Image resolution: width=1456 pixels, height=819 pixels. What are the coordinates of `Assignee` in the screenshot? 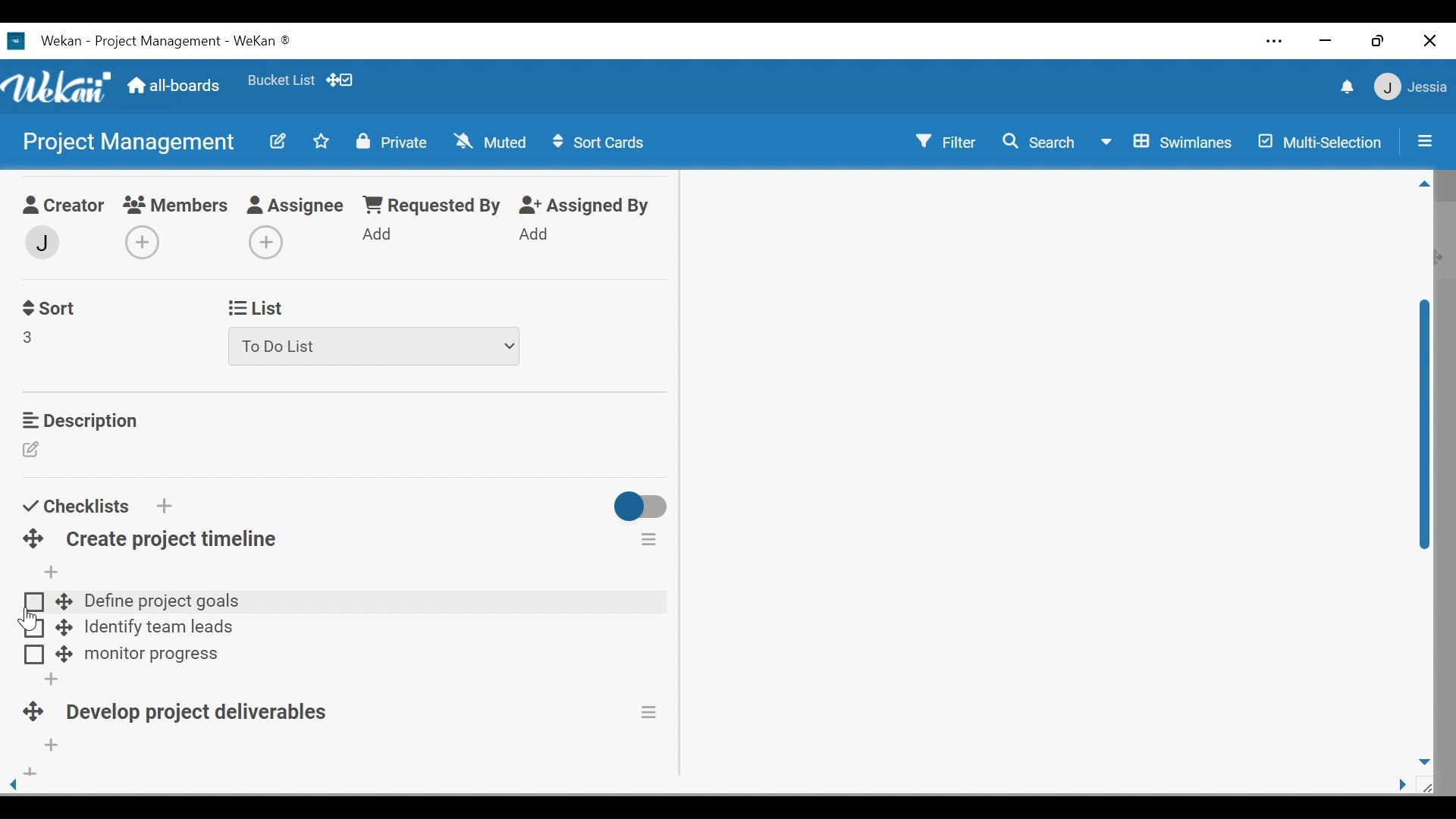 It's located at (298, 206).